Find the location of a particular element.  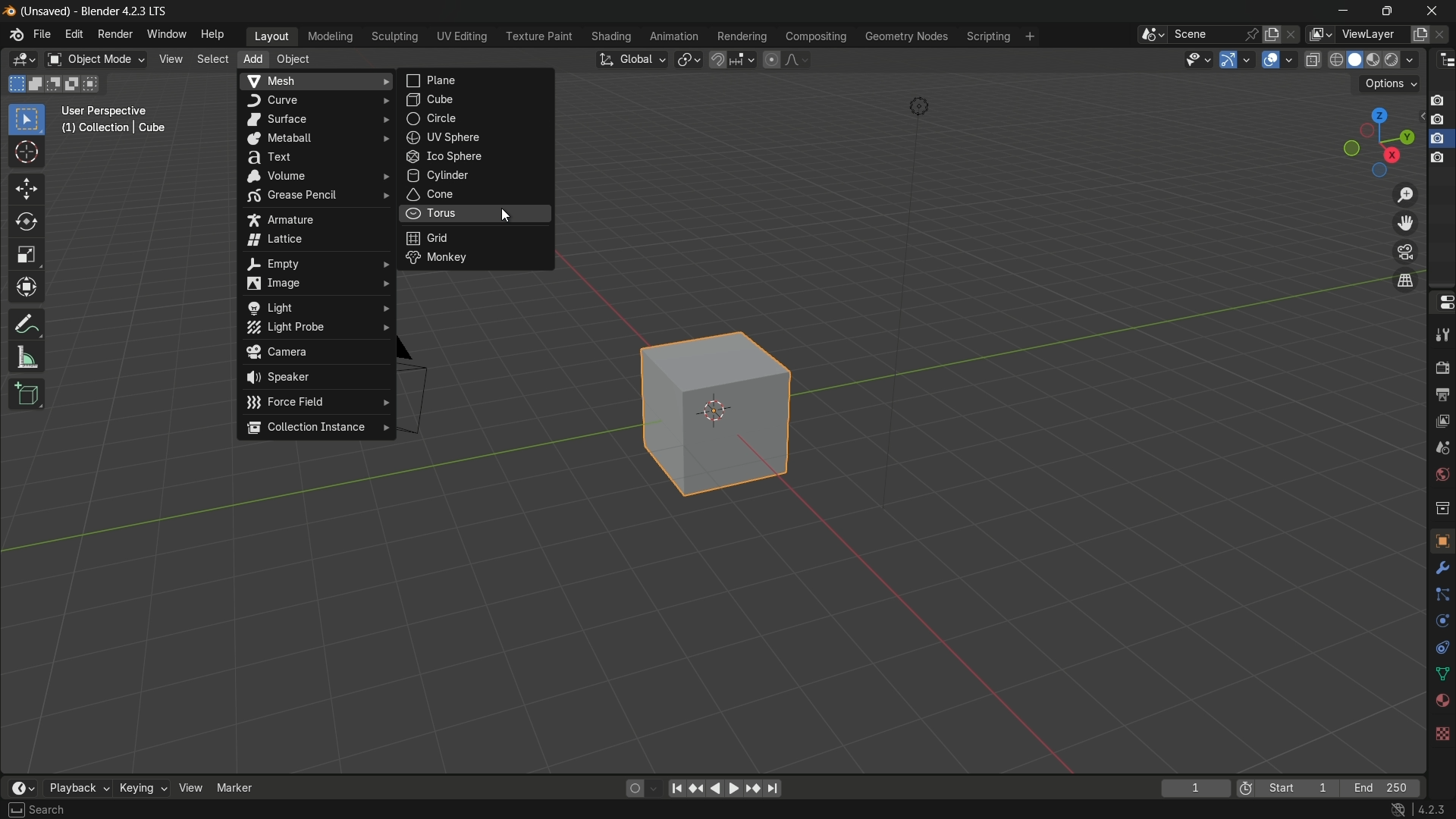

light probe is located at coordinates (313, 328).